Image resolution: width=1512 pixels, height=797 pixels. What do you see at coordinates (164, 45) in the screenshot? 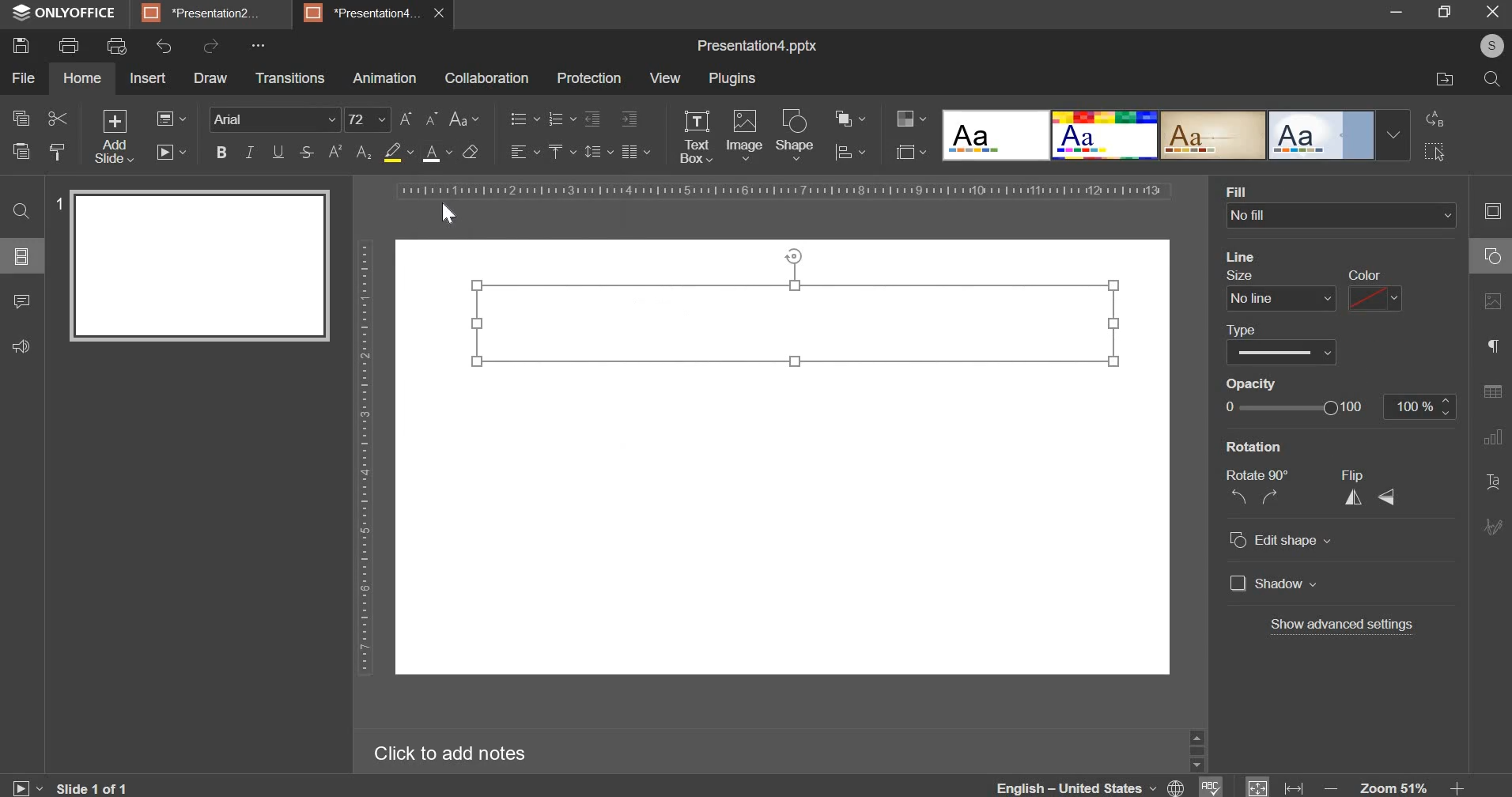
I see `undo` at bounding box center [164, 45].